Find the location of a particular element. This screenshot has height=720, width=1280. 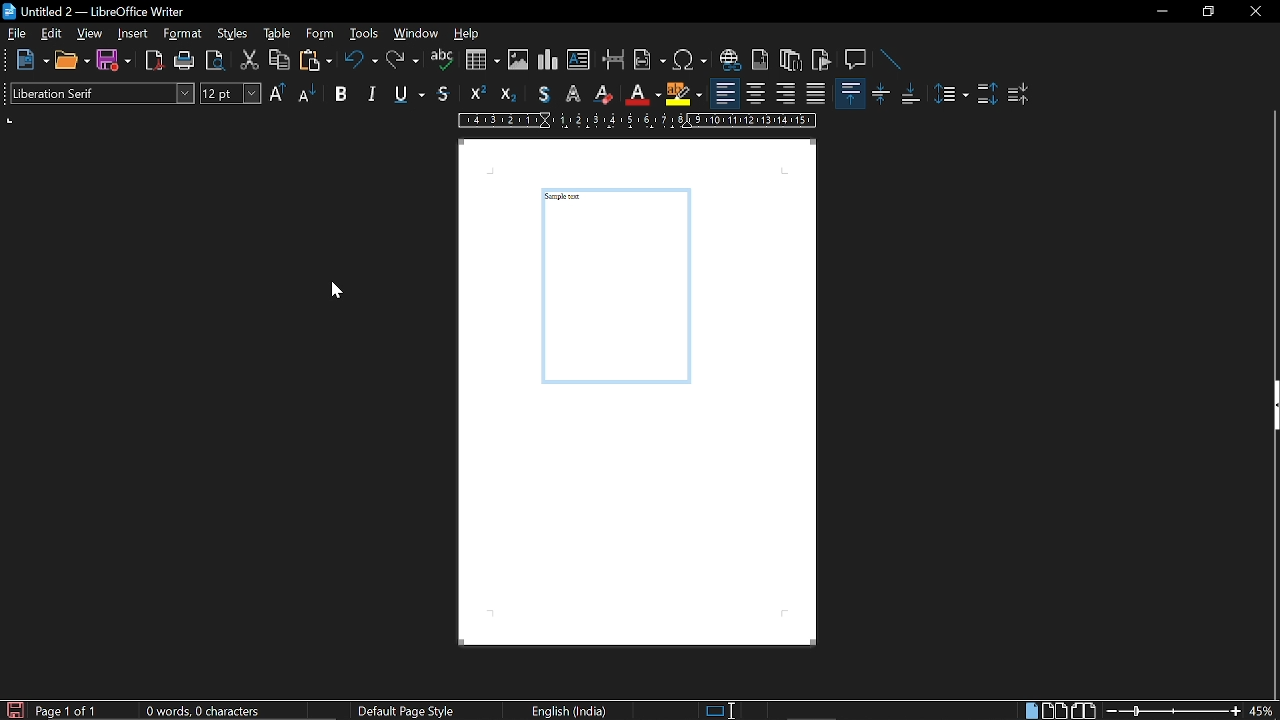

italic is located at coordinates (370, 93).